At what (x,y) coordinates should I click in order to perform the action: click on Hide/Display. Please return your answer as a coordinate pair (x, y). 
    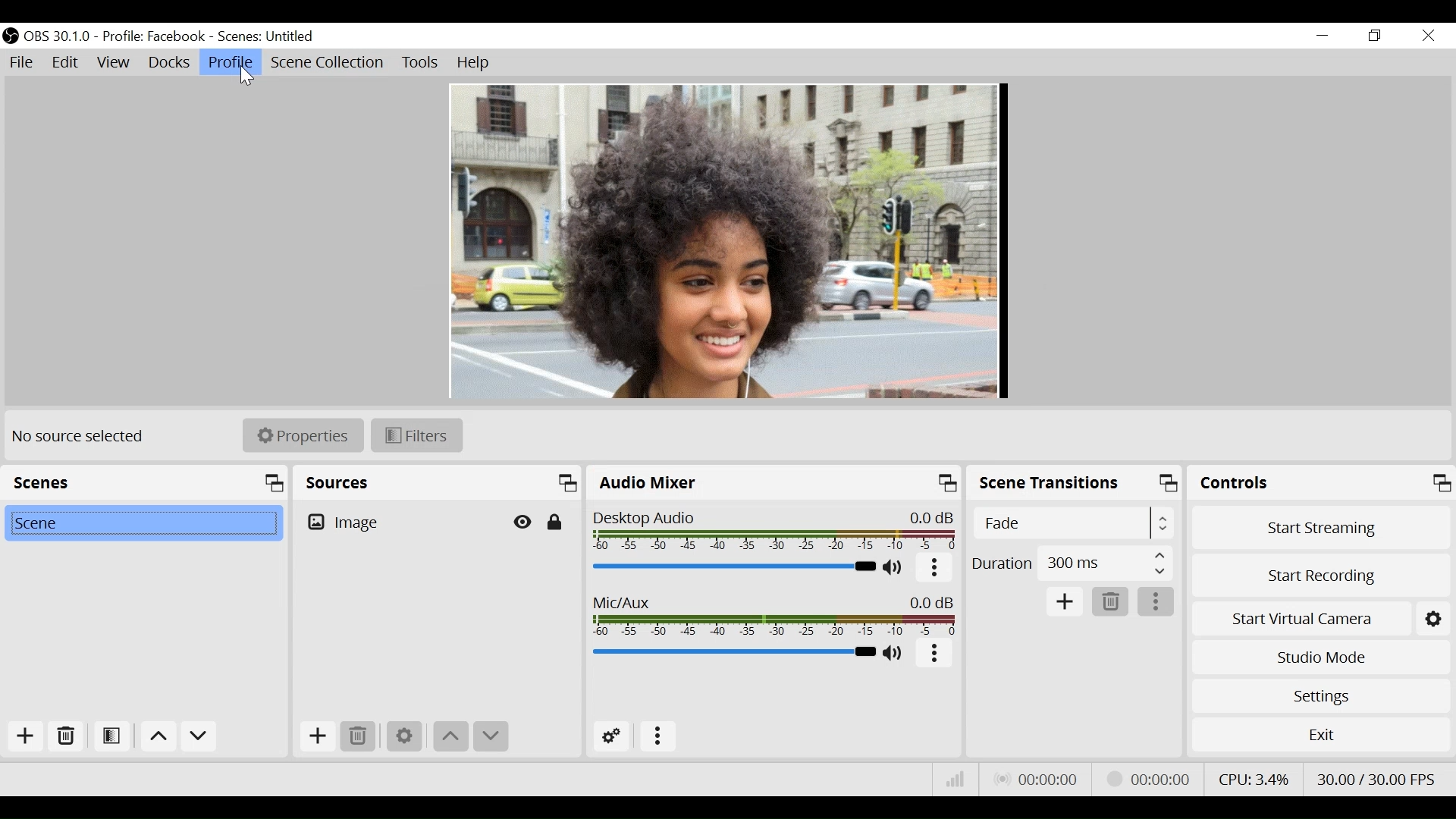
    Looking at the image, I should click on (524, 522).